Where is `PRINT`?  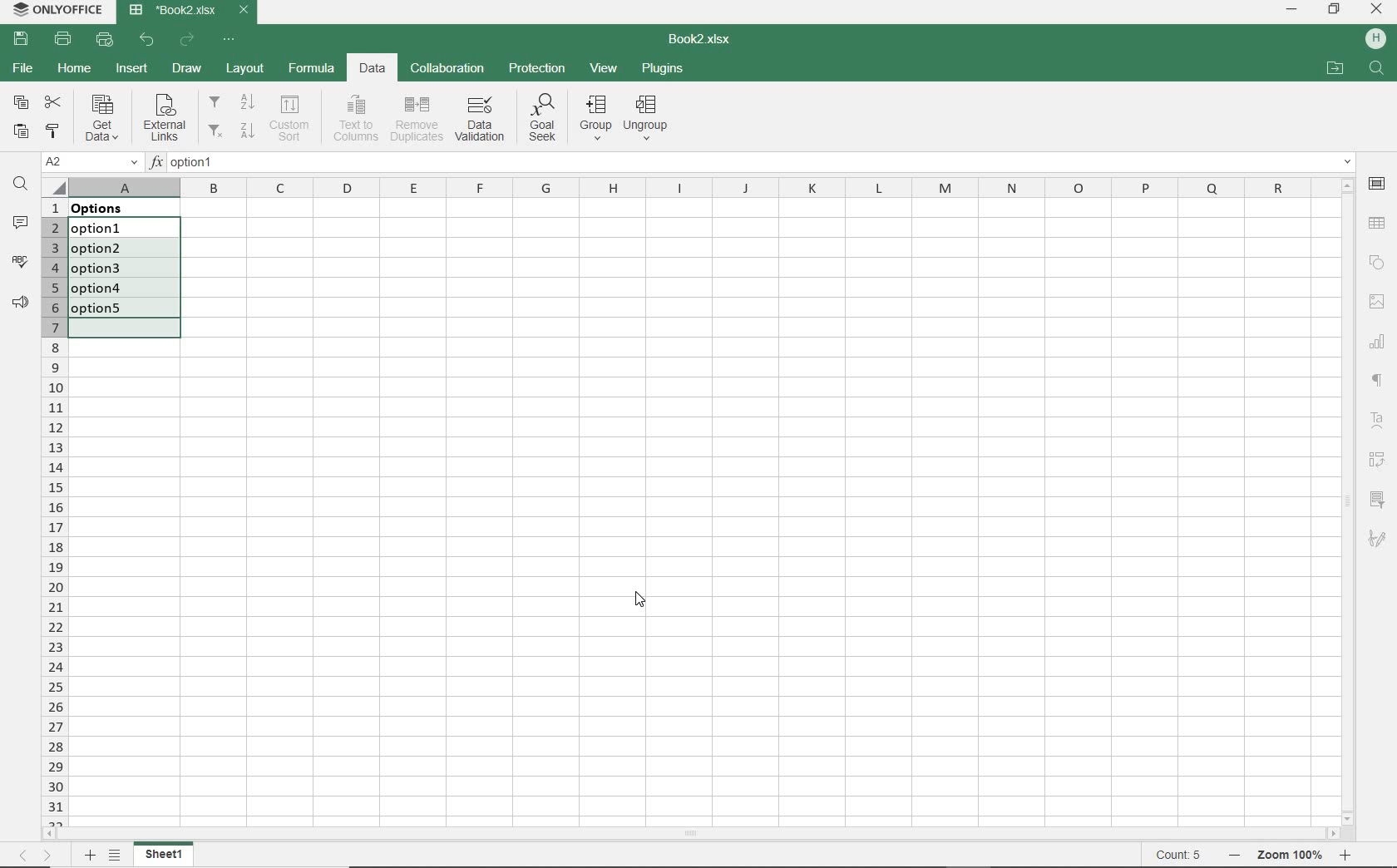 PRINT is located at coordinates (62, 40).